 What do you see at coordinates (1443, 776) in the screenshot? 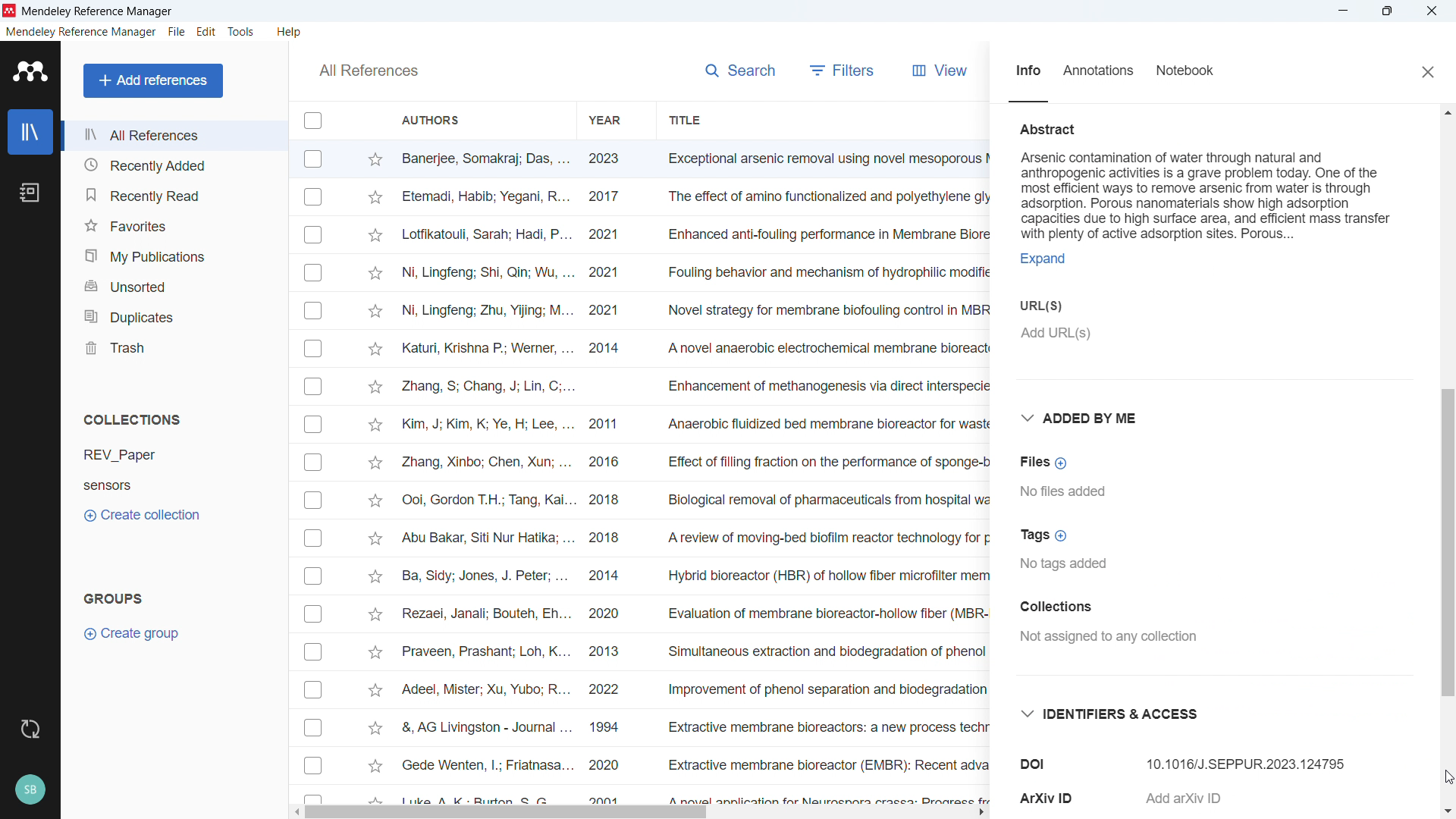
I see `cursor movement` at bounding box center [1443, 776].